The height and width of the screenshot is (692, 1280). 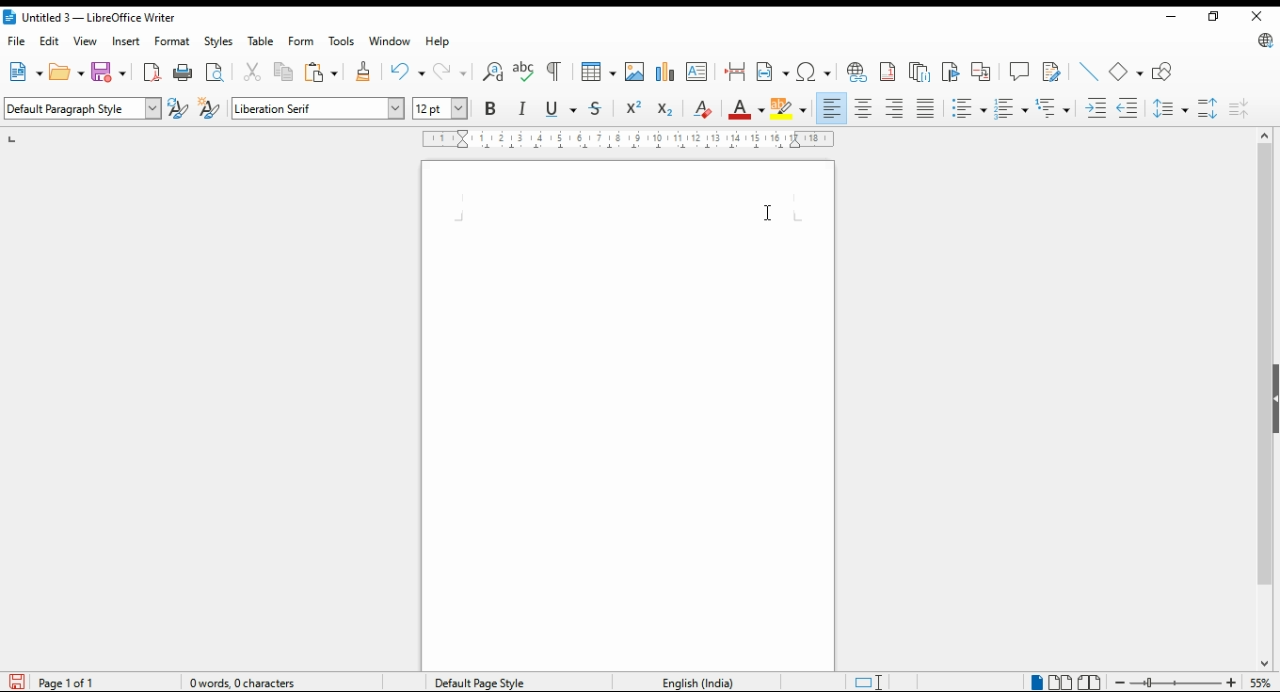 What do you see at coordinates (184, 72) in the screenshot?
I see `print` at bounding box center [184, 72].